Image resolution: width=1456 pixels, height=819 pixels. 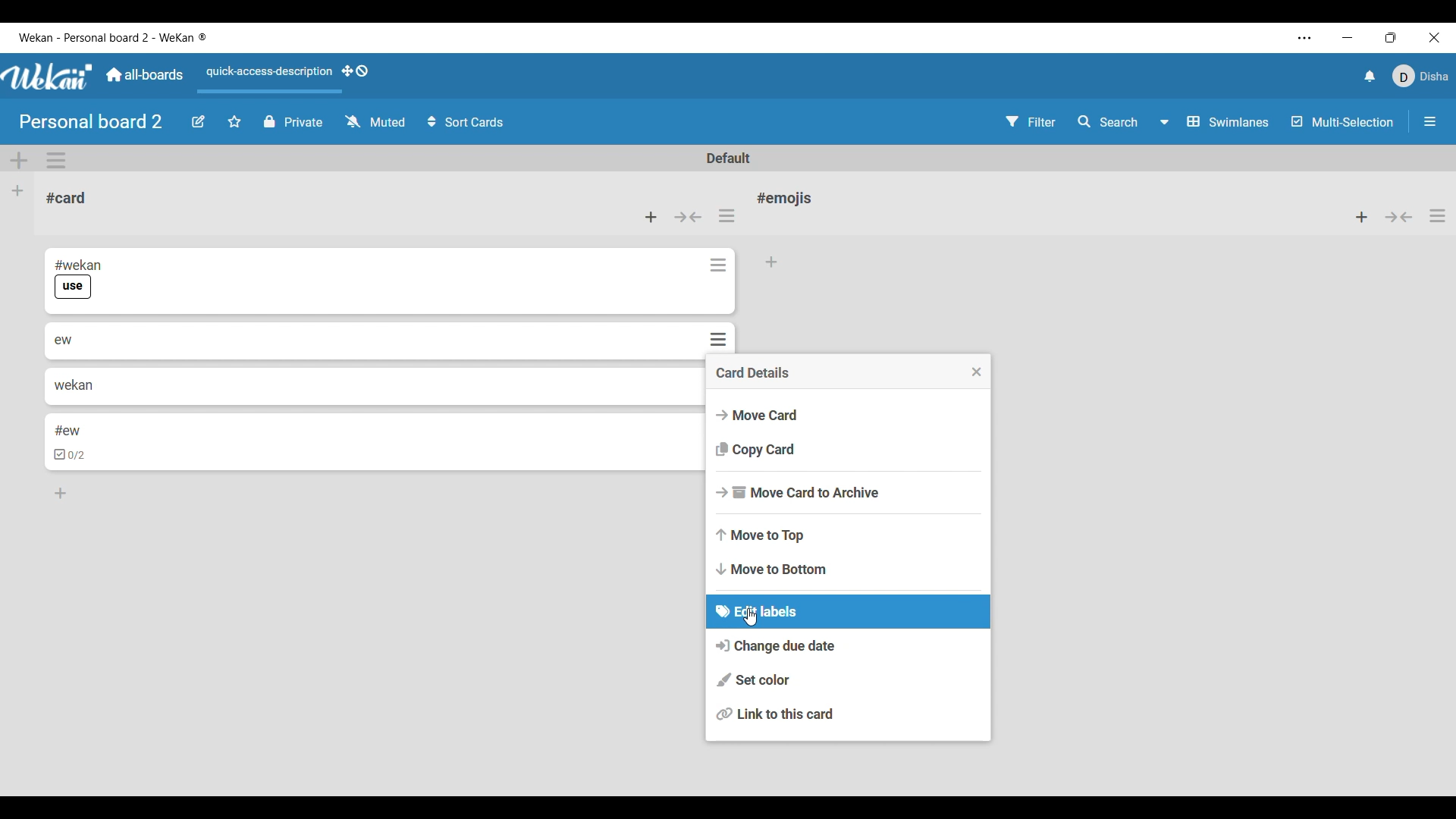 What do you see at coordinates (1435, 37) in the screenshot?
I see `Close interface ` at bounding box center [1435, 37].